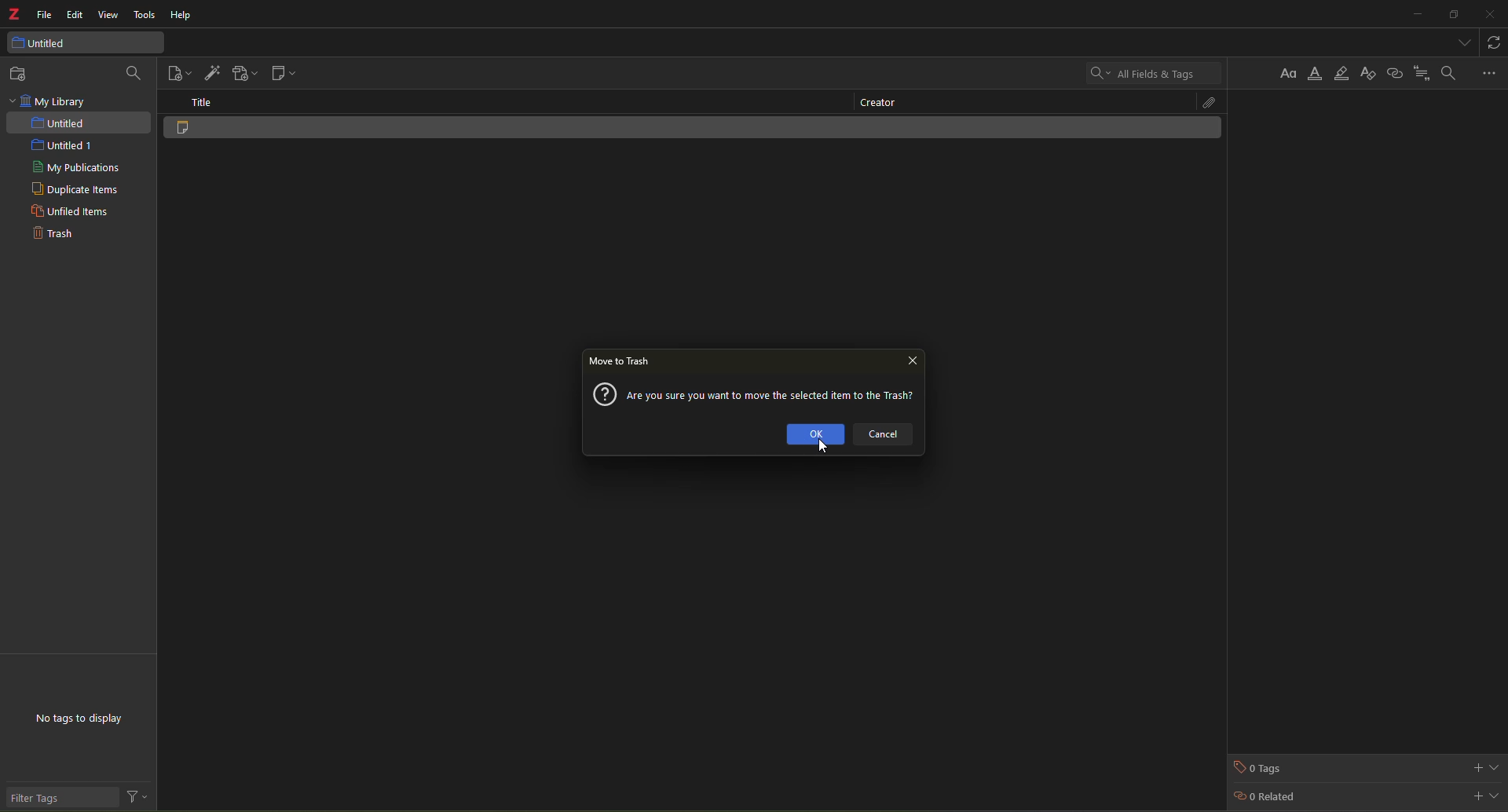  What do you see at coordinates (82, 720) in the screenshot?
I see `no tags to display` at bounding box center [82, 720].